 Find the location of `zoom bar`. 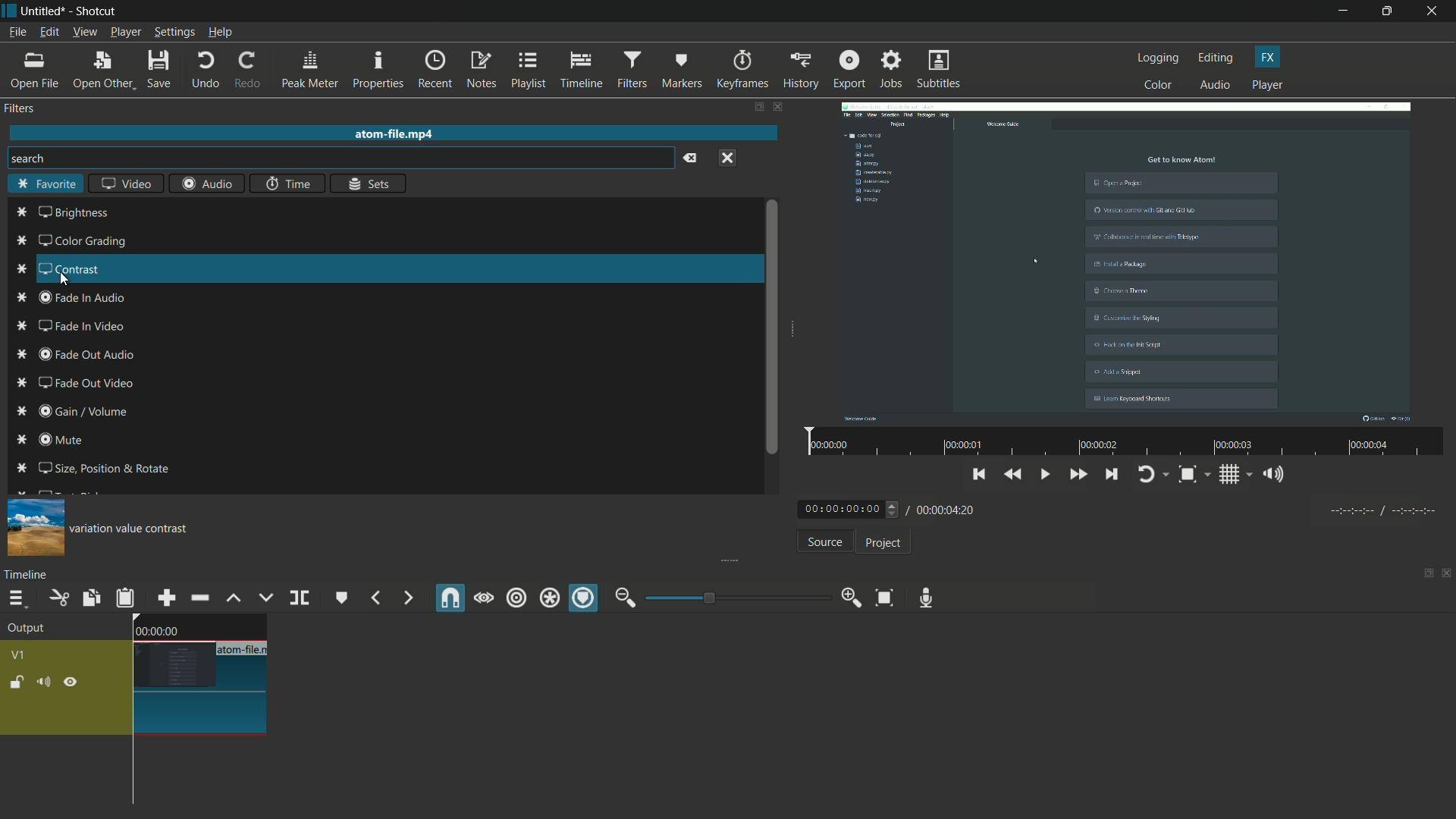

zoom bar is located at coordinates (732, 597).